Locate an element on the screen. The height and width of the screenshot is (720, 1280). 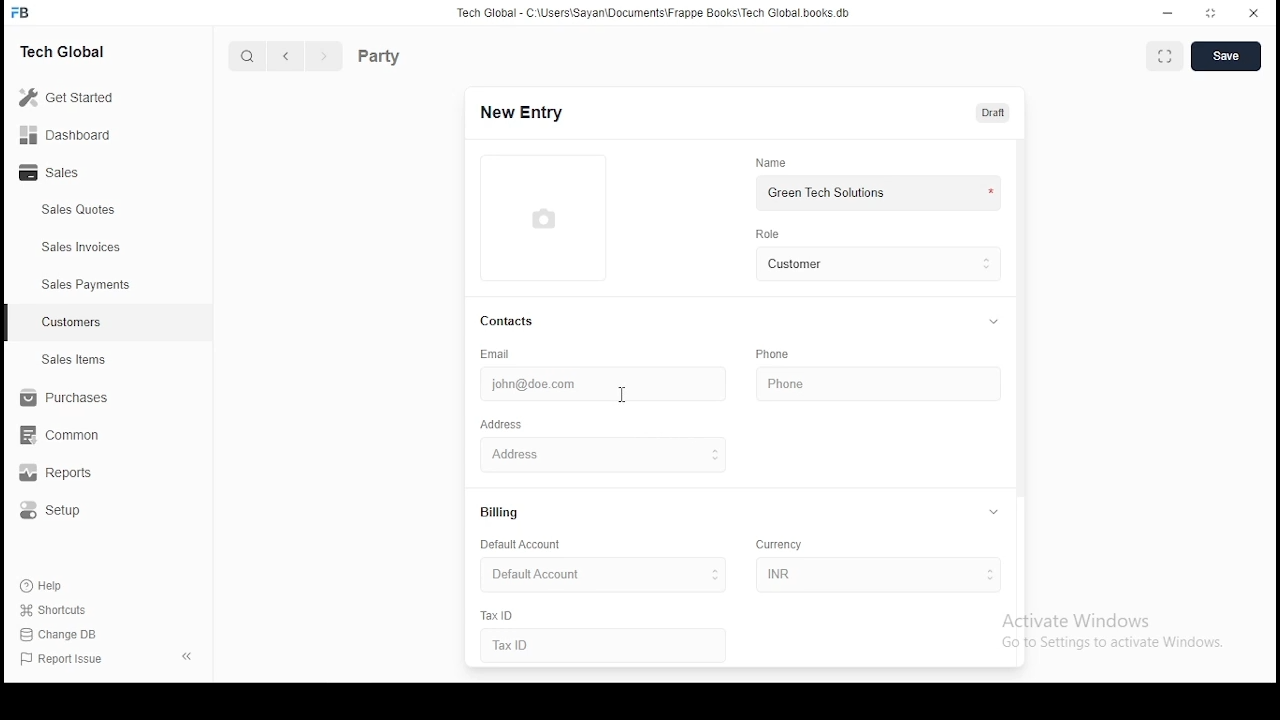
next is located at coordinates (328, 56).